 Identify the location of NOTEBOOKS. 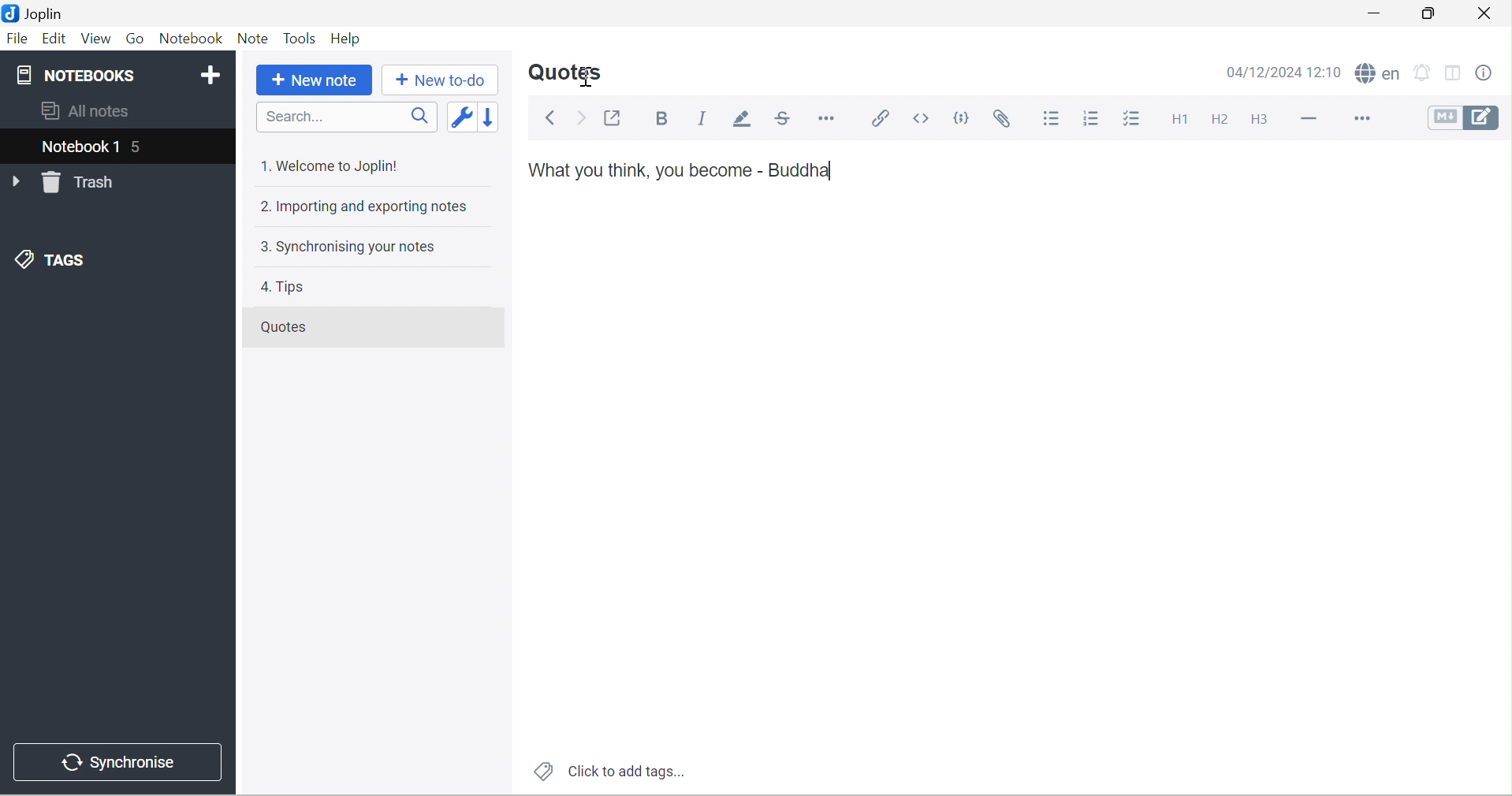
(80, 75).